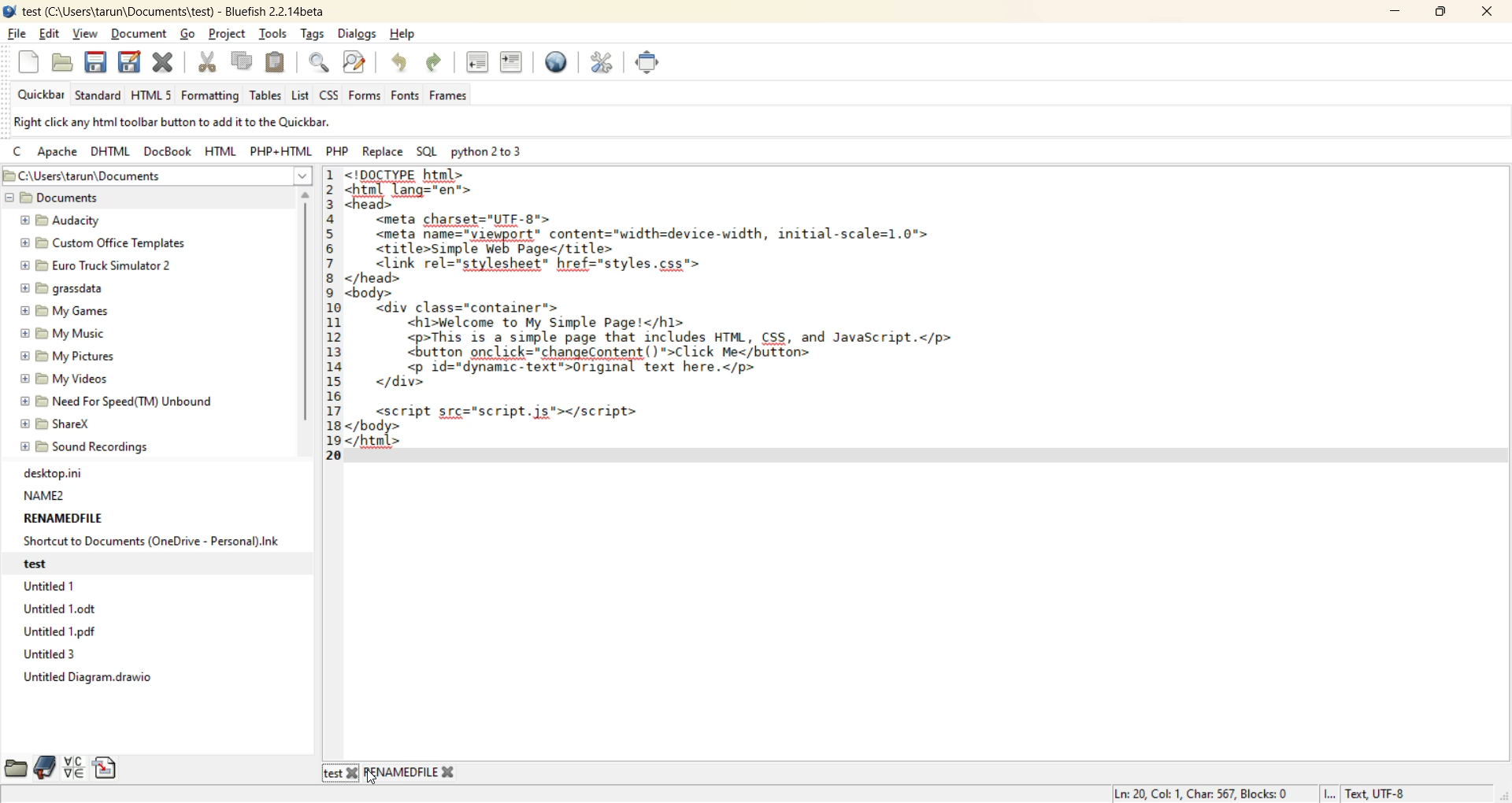 This screenshot has width=1512, height=803. Describe the element at coordinates (97, 94) in the screenshot. I see `standard` at that location.